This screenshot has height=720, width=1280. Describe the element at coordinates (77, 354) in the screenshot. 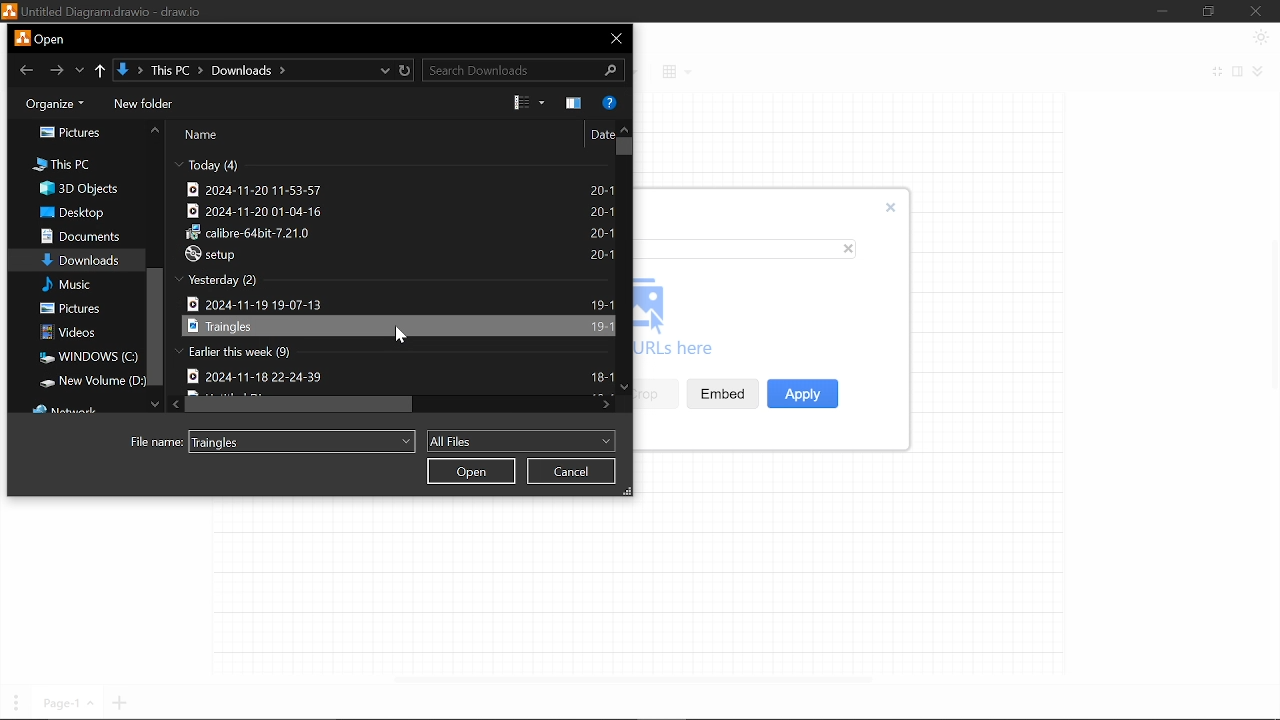

I see `Windows(C:)` at that location.